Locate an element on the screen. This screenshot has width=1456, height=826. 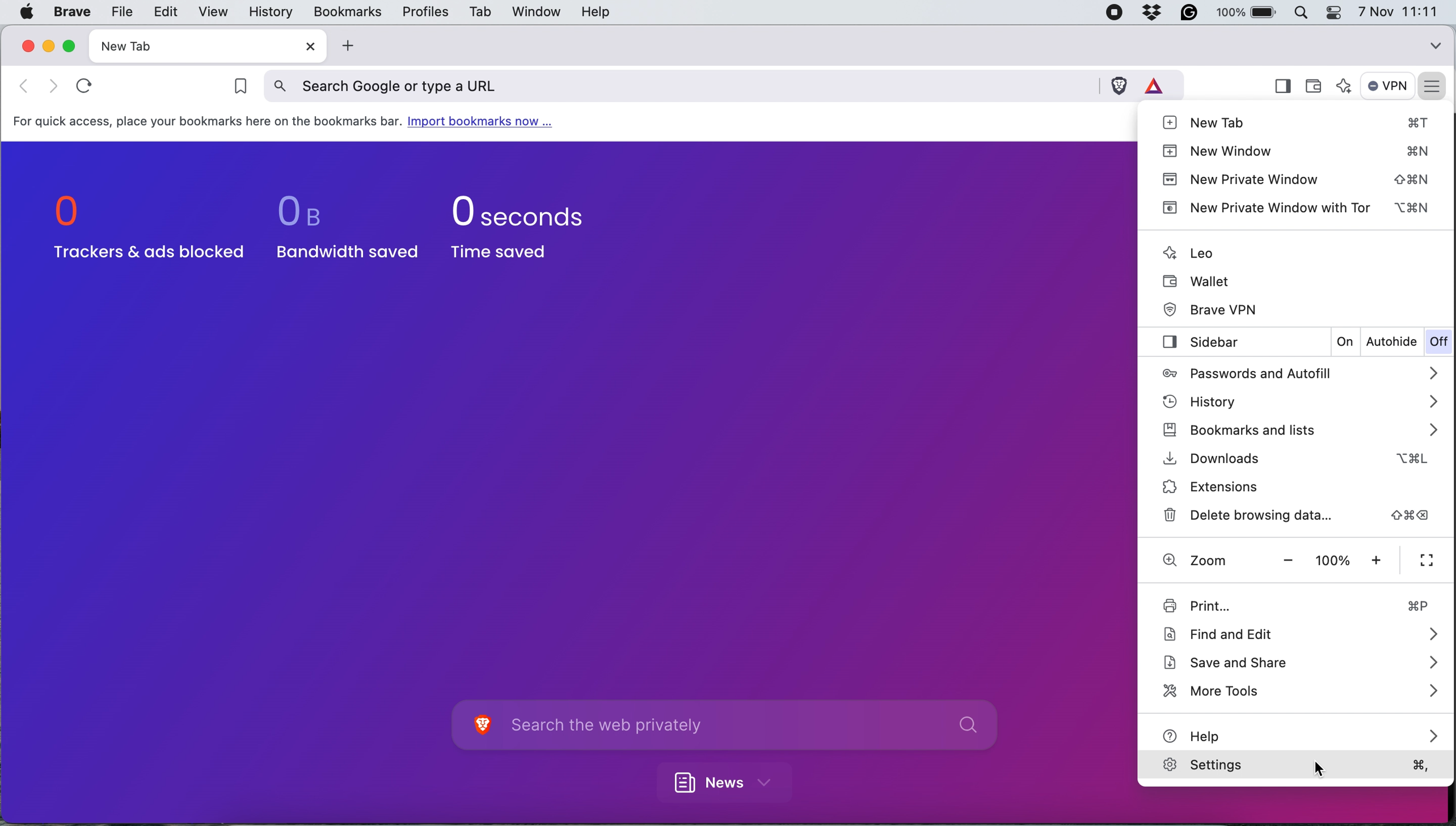
passwords and autofill is located at coordinates (1292, 372).